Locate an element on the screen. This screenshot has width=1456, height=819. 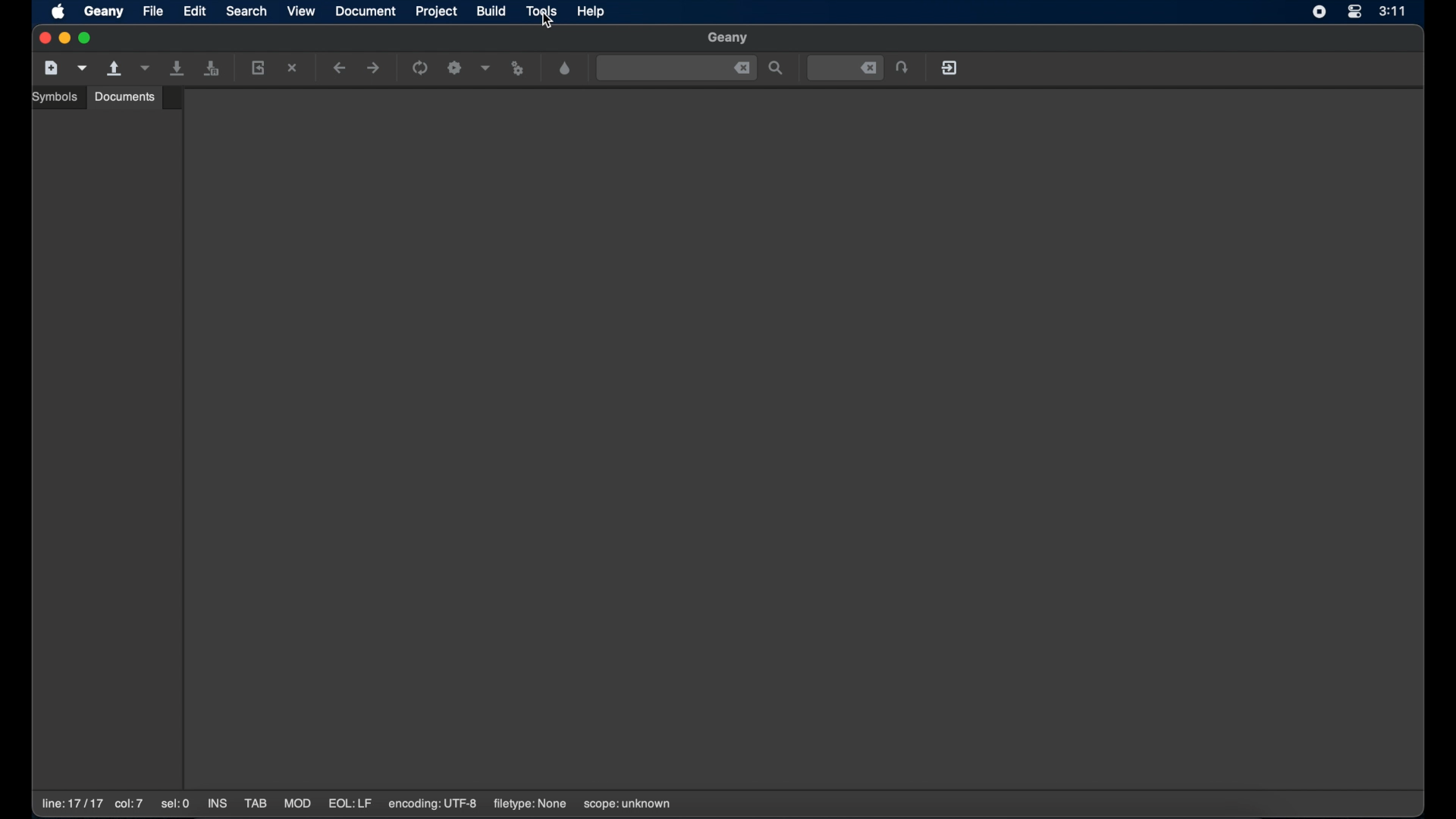
create a new file from template is located at coordinates (83, 68).